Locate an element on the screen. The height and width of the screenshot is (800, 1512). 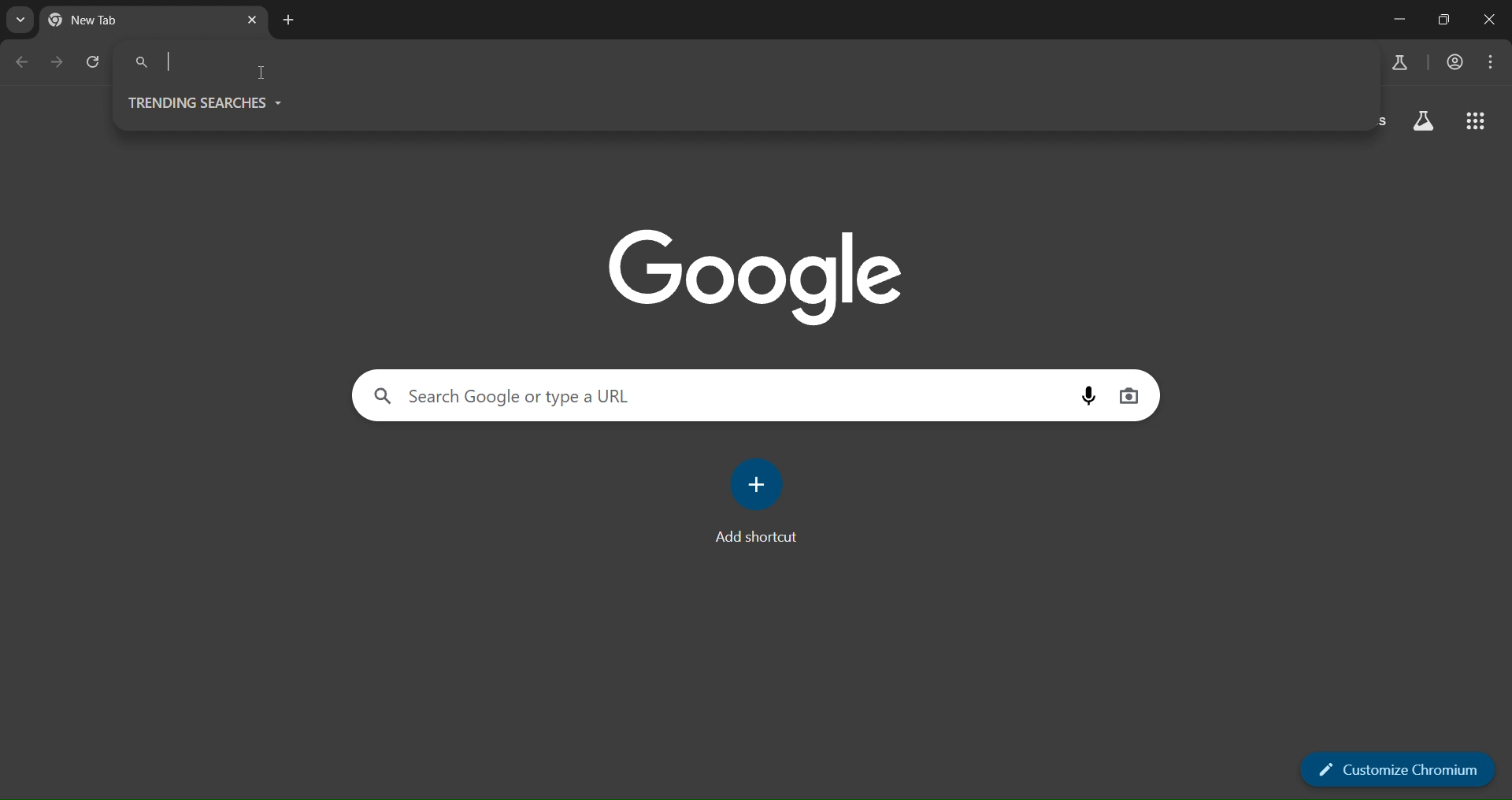
searchpanel is located at coordinates (743, 62).